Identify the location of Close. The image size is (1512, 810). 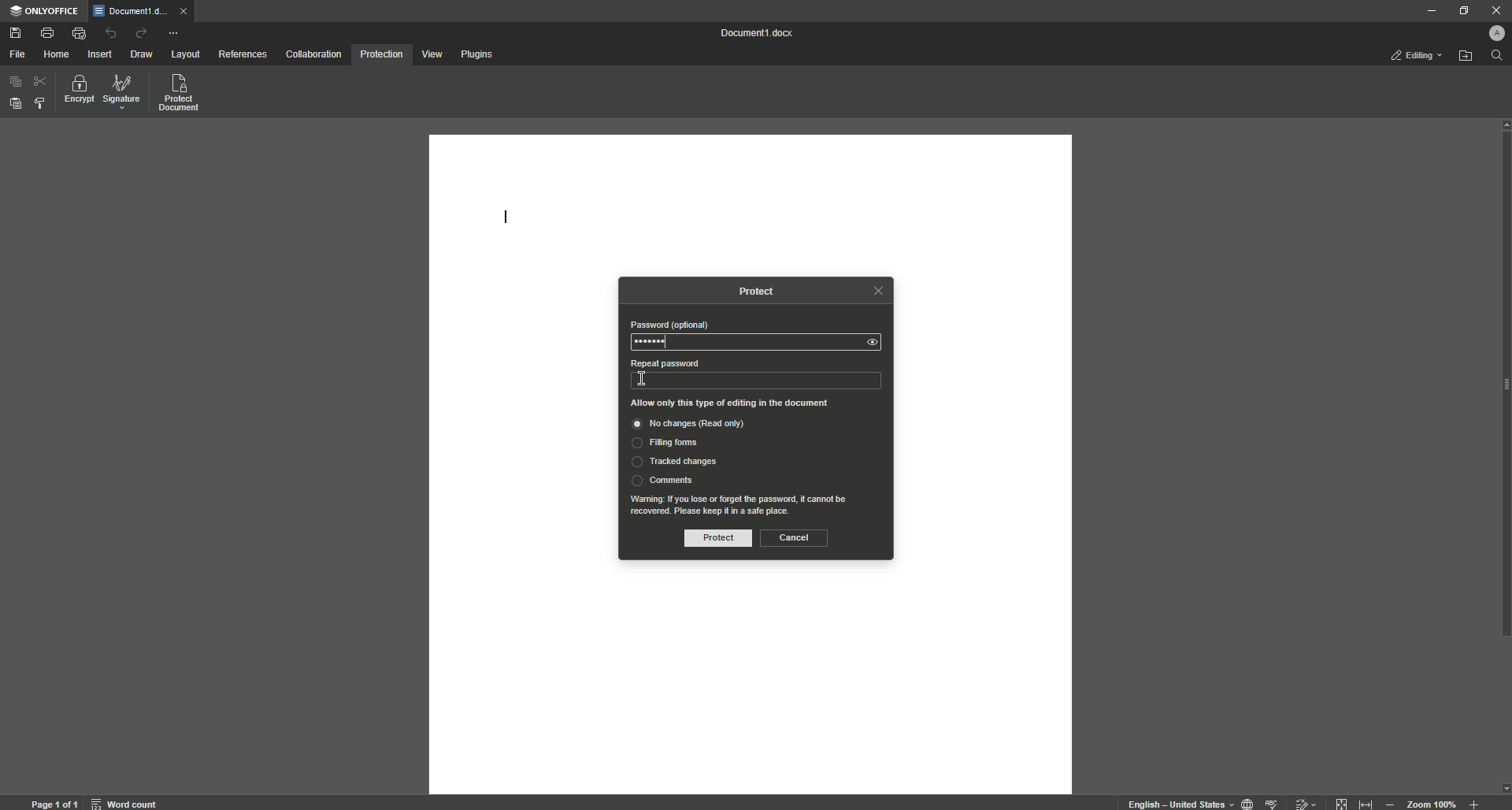
(1495, 9).